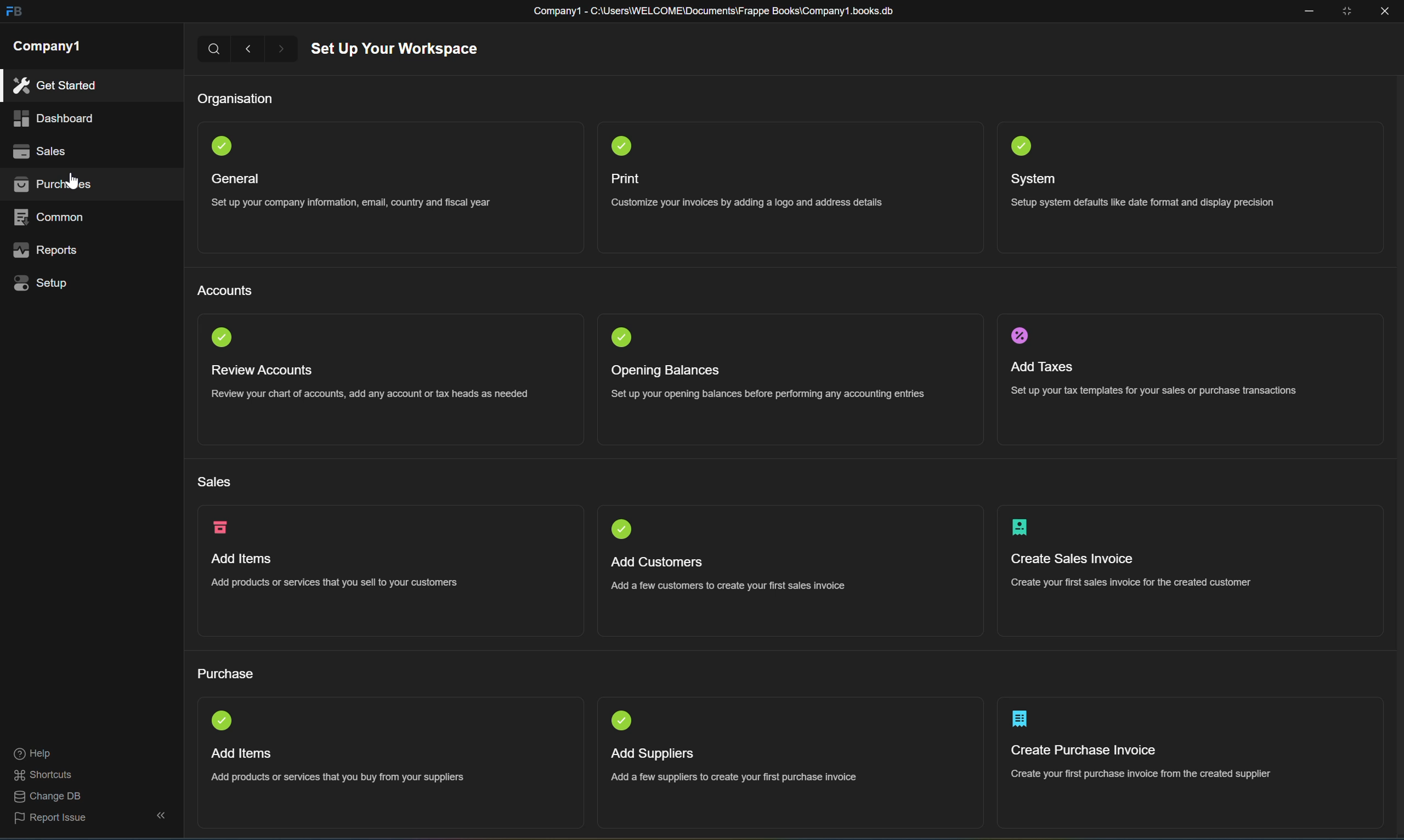  What do you see at coordinates (244, 753) in the screenshot?
I see `add items` at bounding box center [244, 753].